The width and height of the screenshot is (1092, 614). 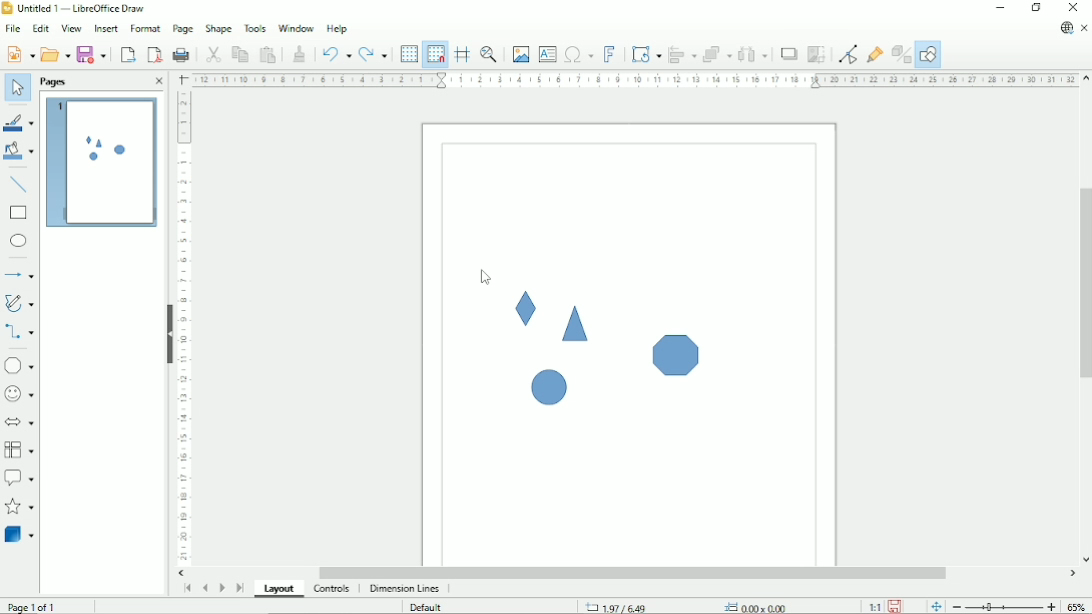 What do you see at coordinates (187, 588) in the screenshot?
I see `Scroll to first page` at bounding box center [187, 588].